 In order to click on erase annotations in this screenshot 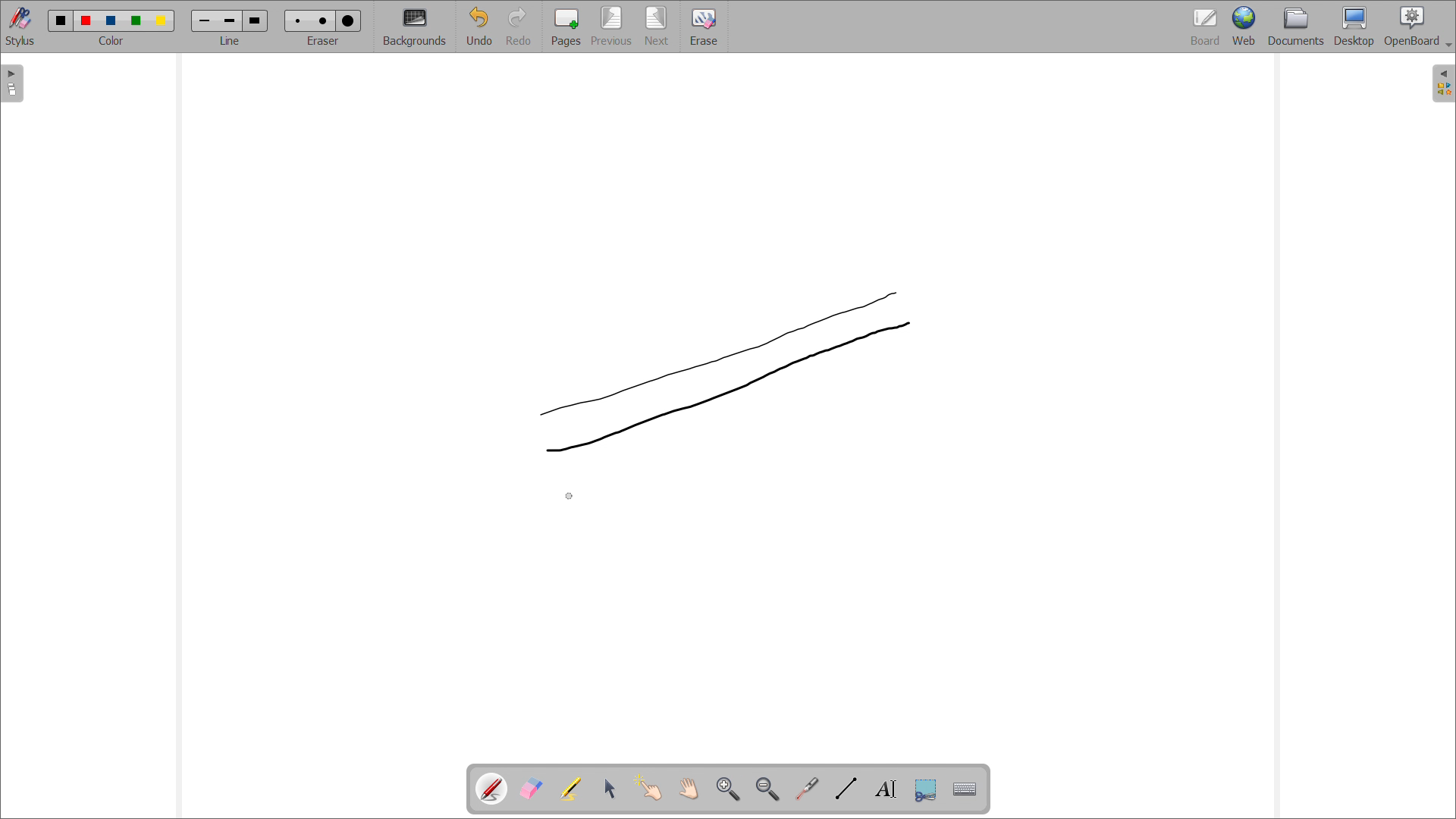, I will do `click(532, 789)`.